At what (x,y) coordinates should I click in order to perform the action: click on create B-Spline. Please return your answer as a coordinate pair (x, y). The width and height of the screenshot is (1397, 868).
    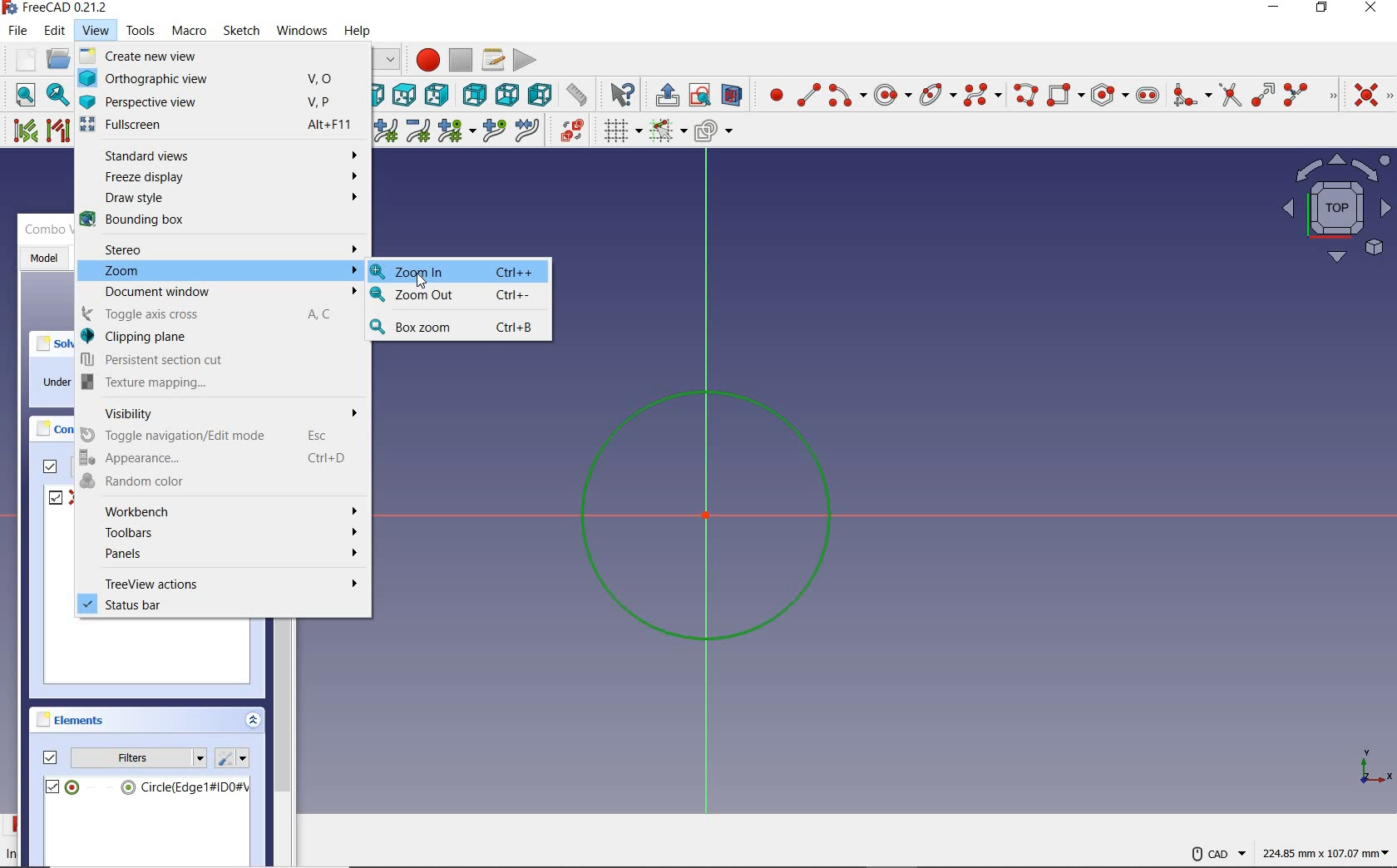
    Looking at the image, I should click on (981, 95).